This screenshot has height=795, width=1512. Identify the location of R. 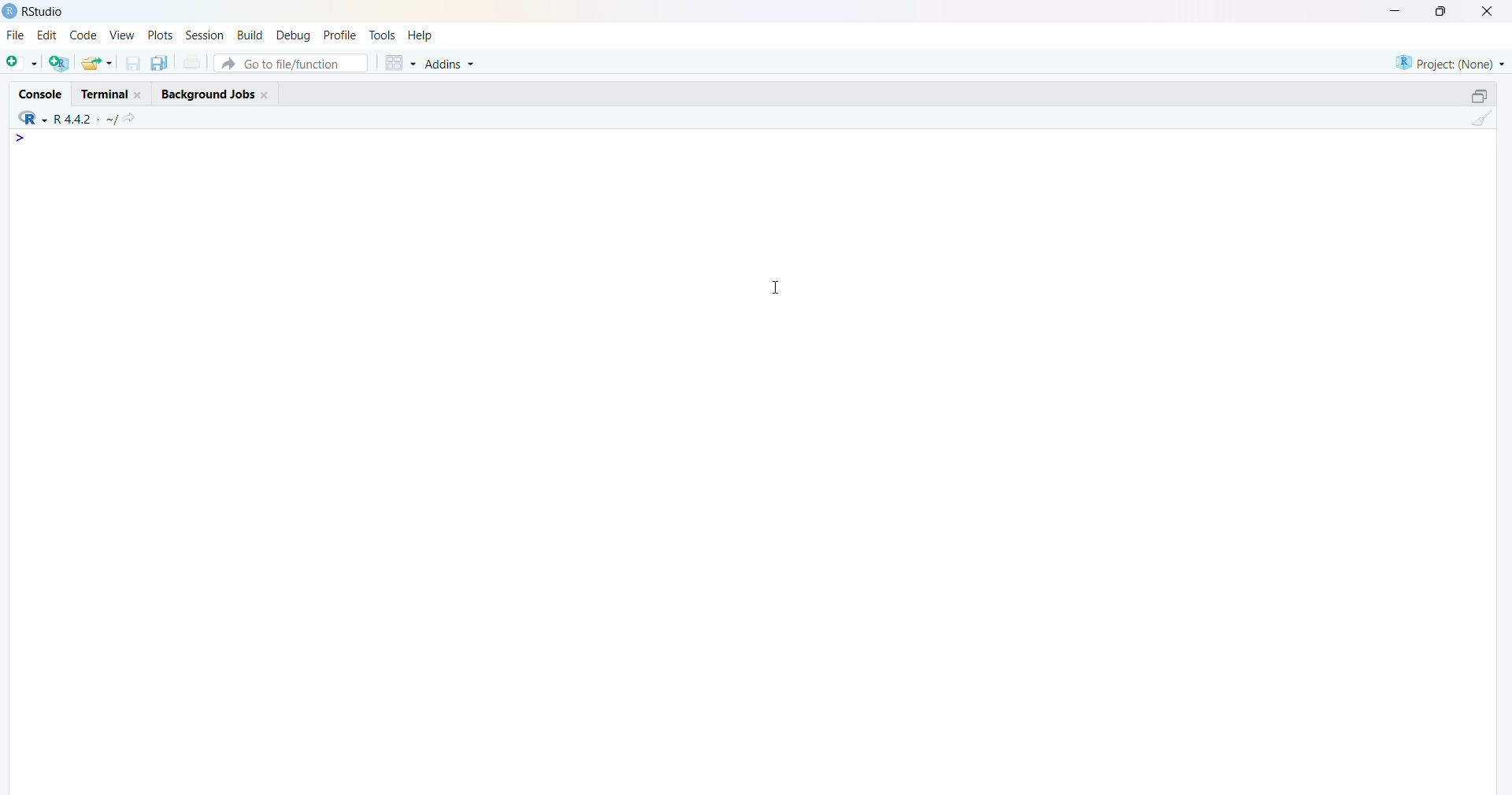
(32, 118).